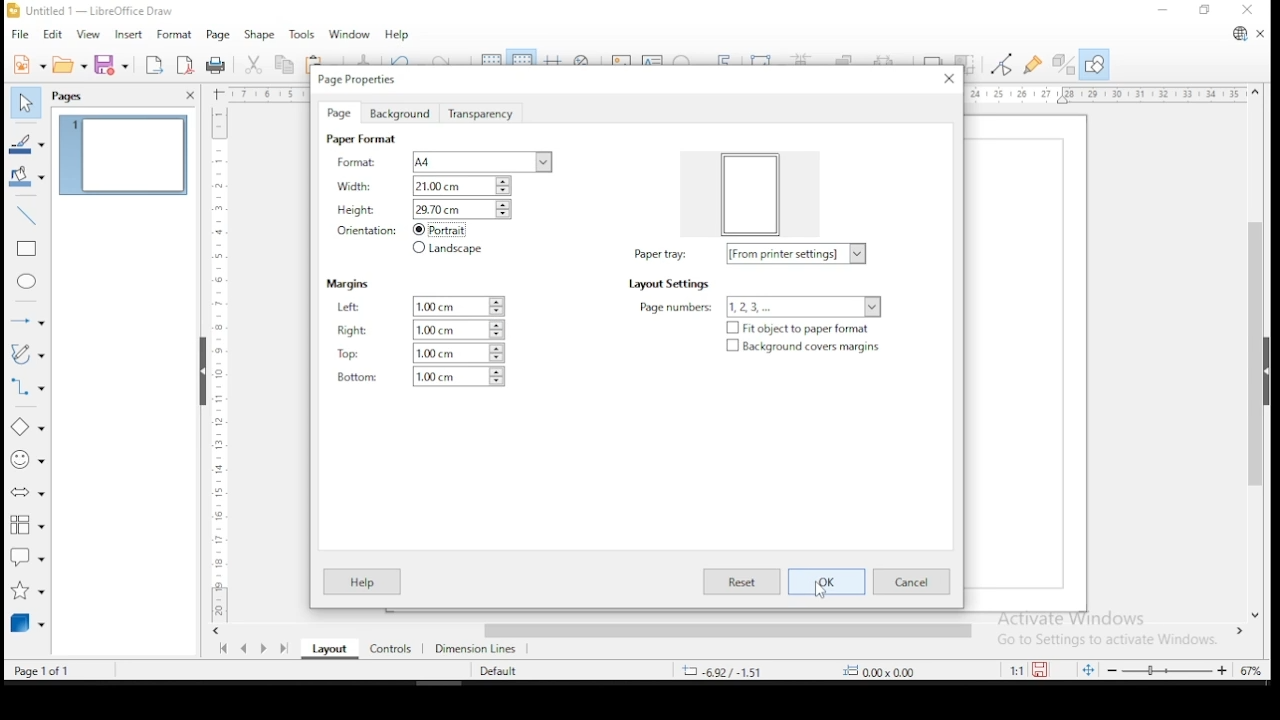 The image size is (1280, 720). Describe the element at coordinates (688, 59) in the screenshot. I see `insert special characters` at that location.